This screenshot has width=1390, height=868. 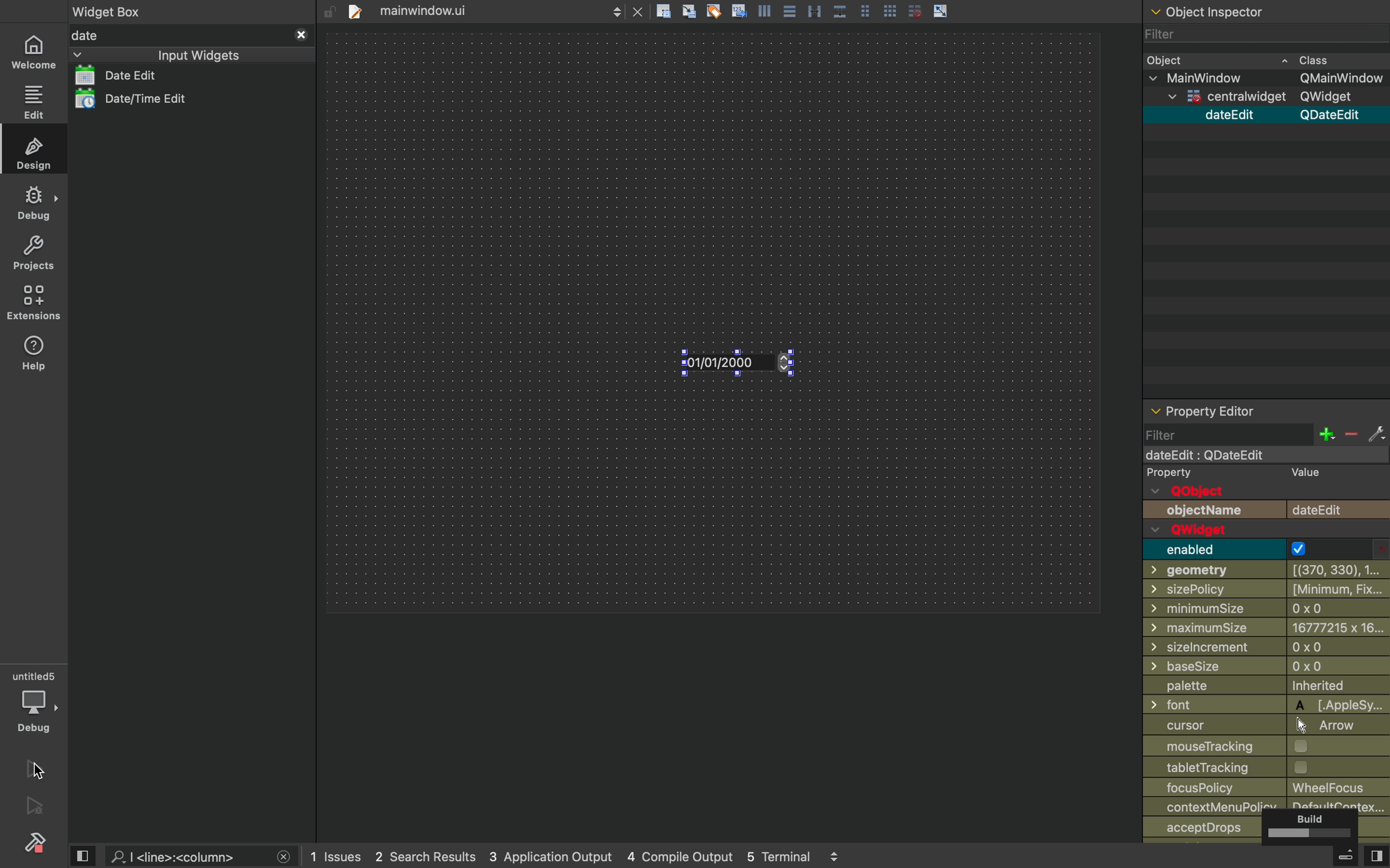 I want to click on acceptDrops, so click(x=1207, y=828).